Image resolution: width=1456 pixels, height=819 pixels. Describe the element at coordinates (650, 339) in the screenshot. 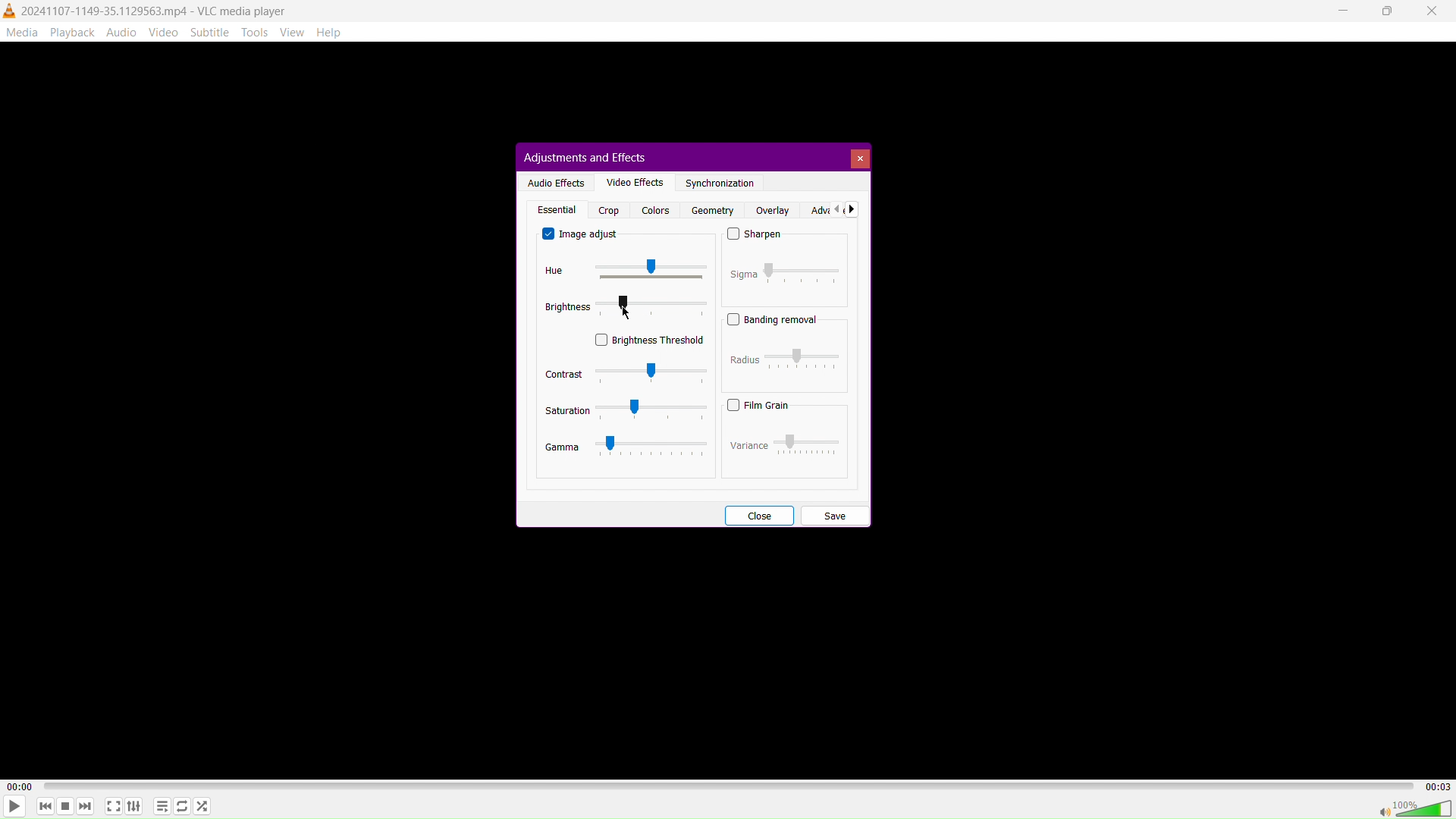

I see `Brightness Threshold` at that location.